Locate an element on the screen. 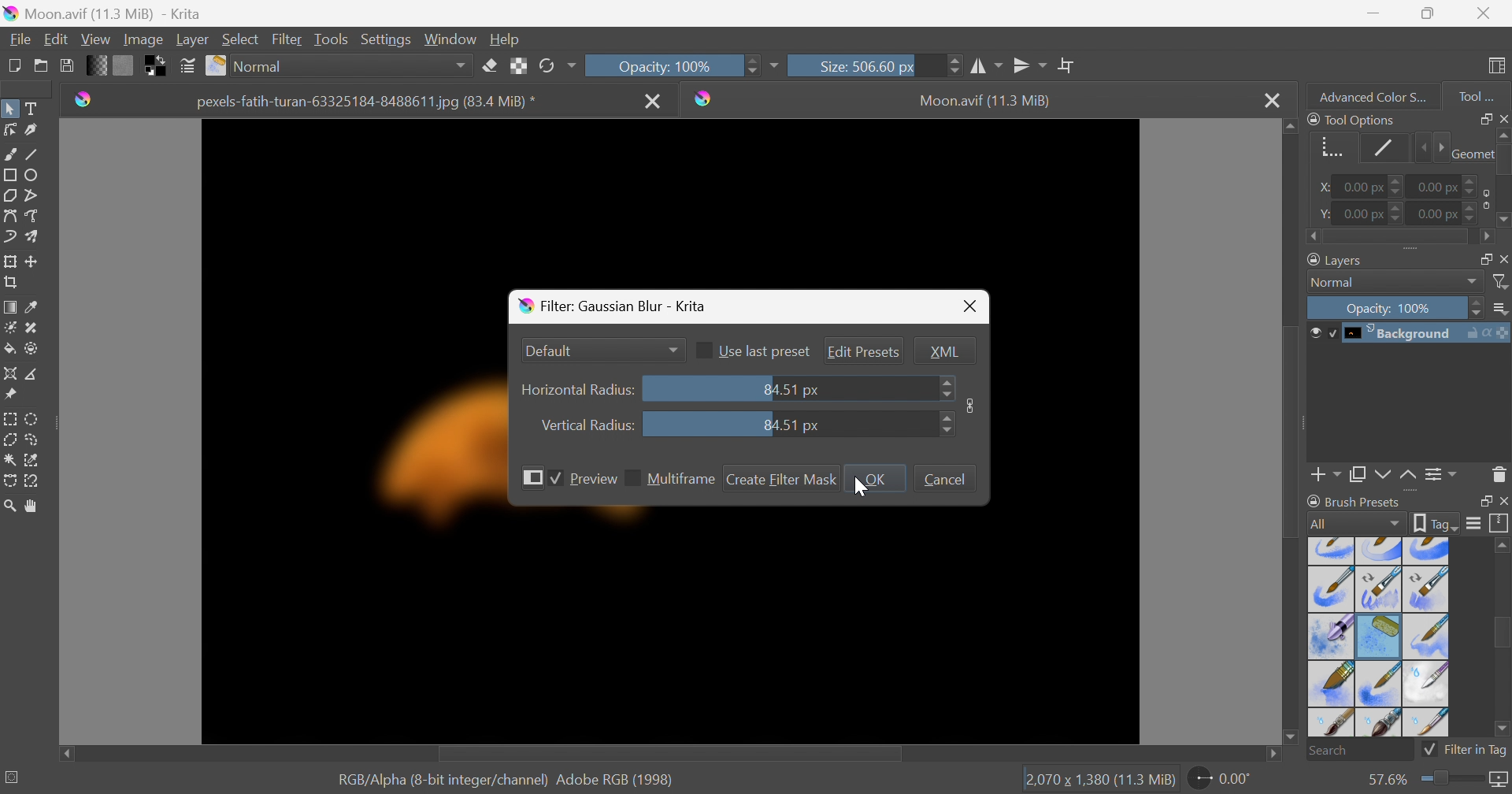 This screenshot has width=1512, height=794. Preserve Alpha is located at coordinates (516, 67).